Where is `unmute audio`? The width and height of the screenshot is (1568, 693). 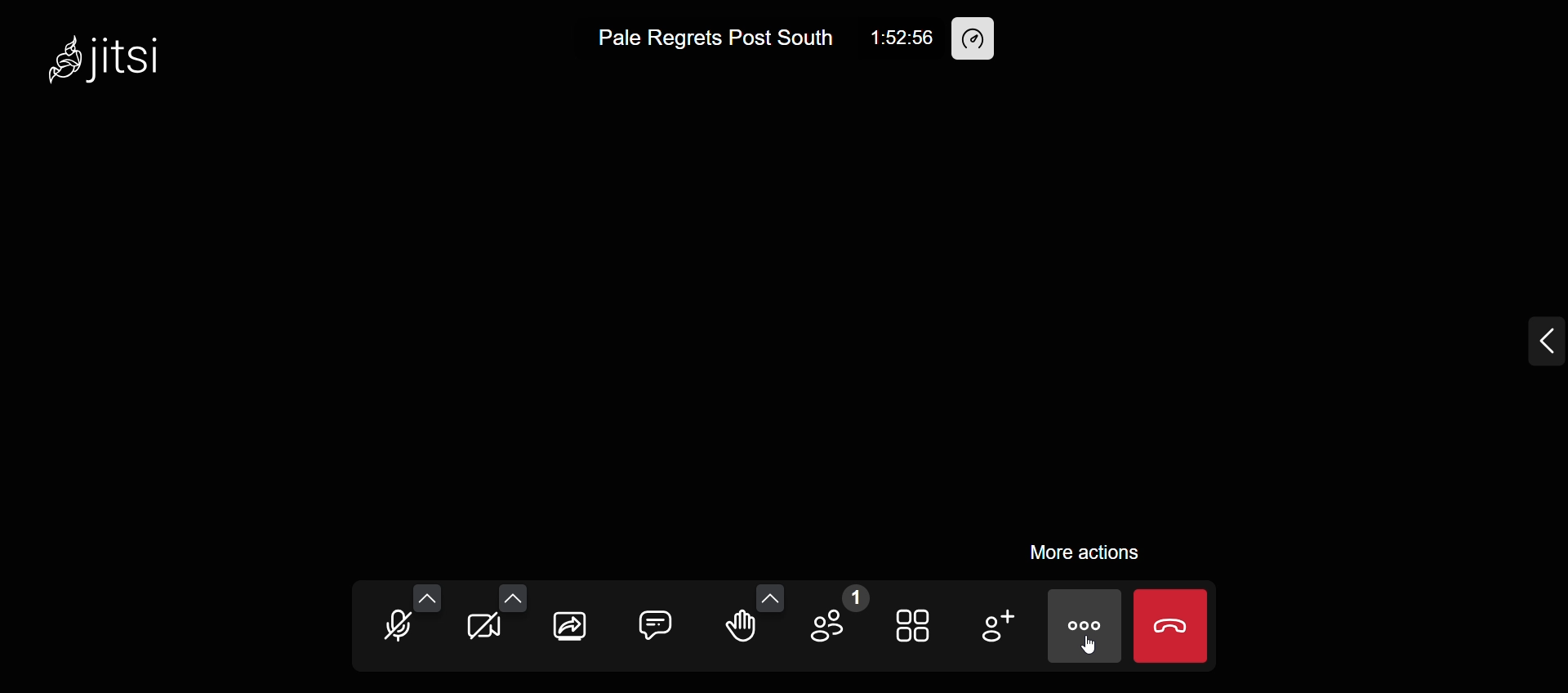 unmute audio is located at coordinates (394, 626).